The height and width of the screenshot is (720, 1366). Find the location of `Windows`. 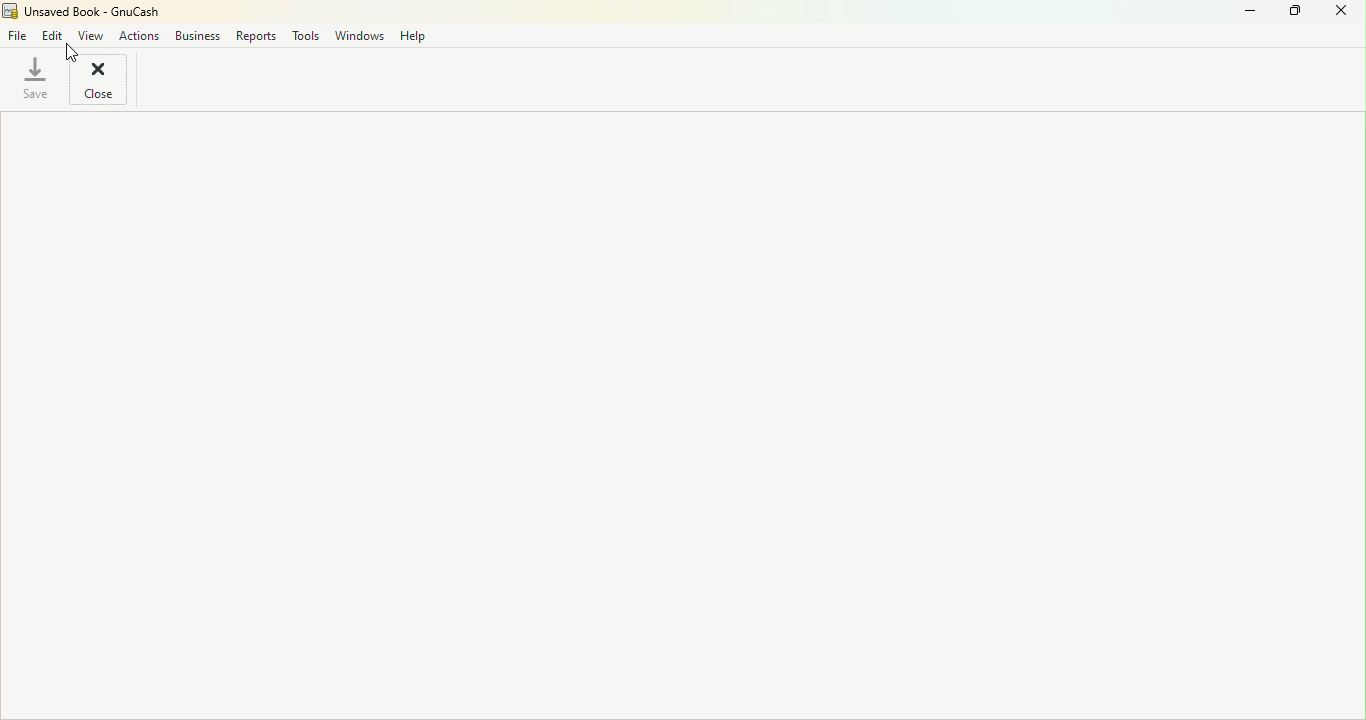

Windows is located at coordinates (361, 37).